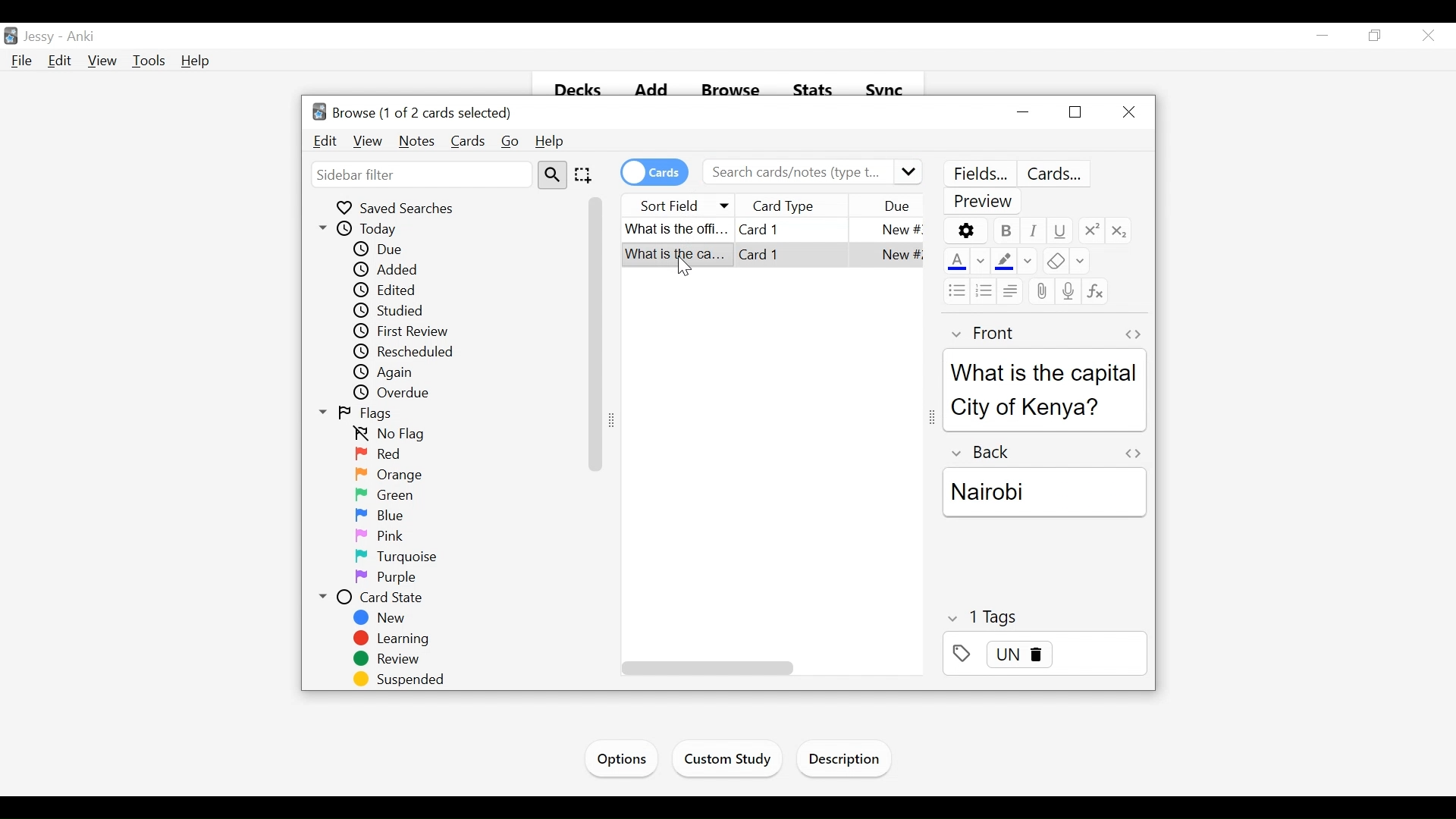  Describe the element at coordinates (395, 435) in the screenshot. I see `No Flags` at that location.